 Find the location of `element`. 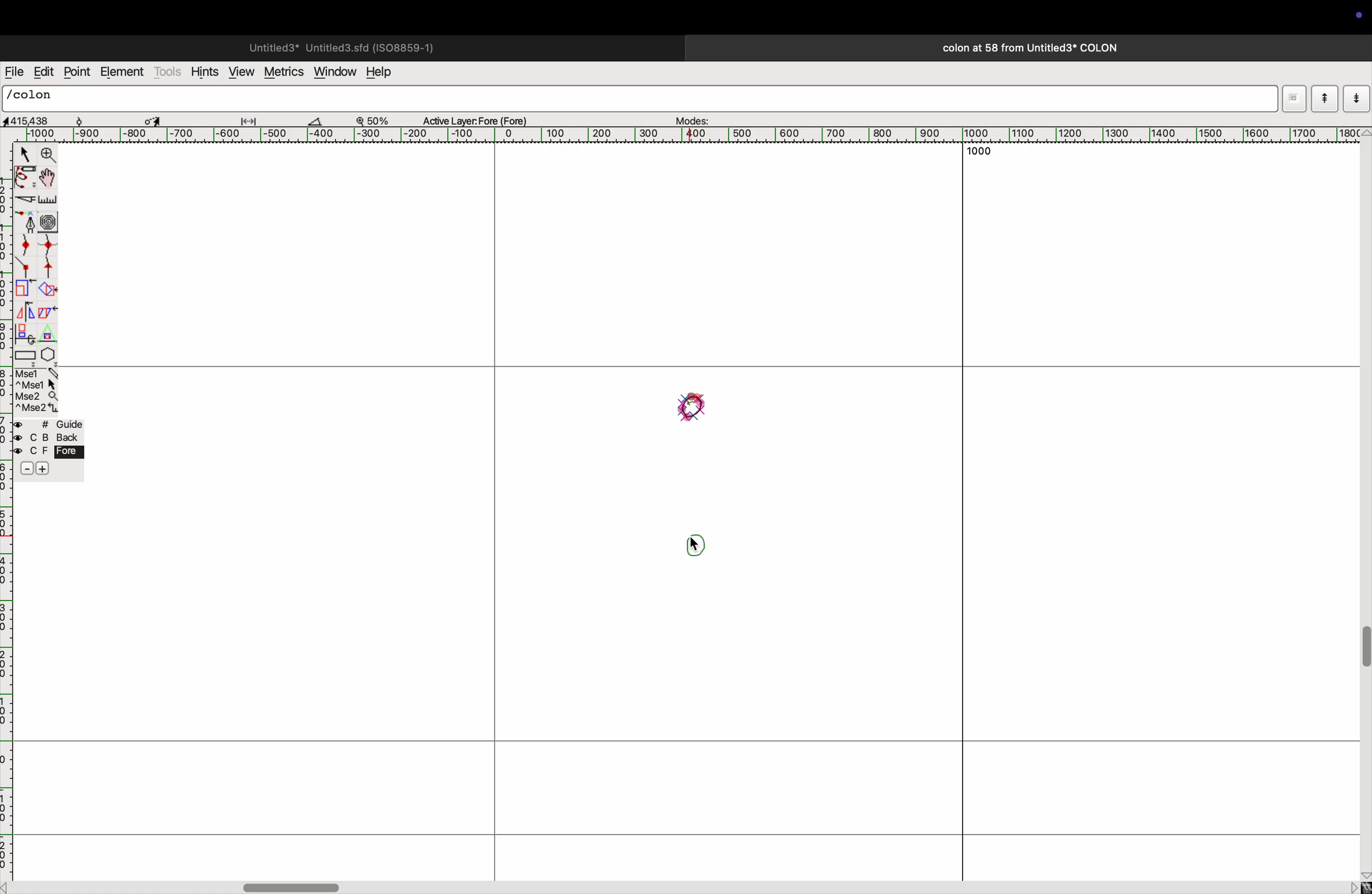

element is located at coordinates (122, 73).